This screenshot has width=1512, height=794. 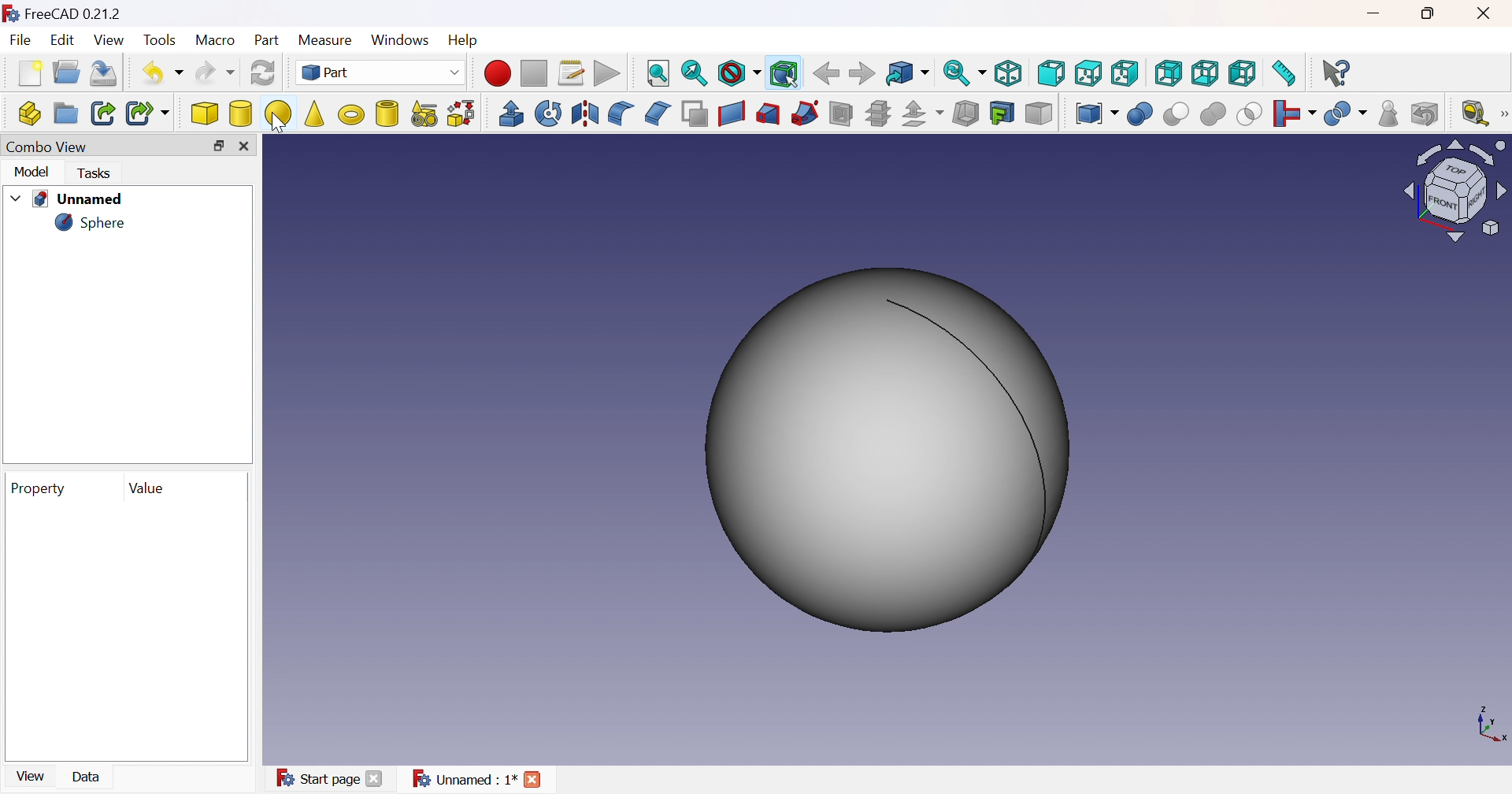 What do you see at coordinates (1492, 725) in the screenshot?
I see `x, y axis` at bounding box center [1492, 725].